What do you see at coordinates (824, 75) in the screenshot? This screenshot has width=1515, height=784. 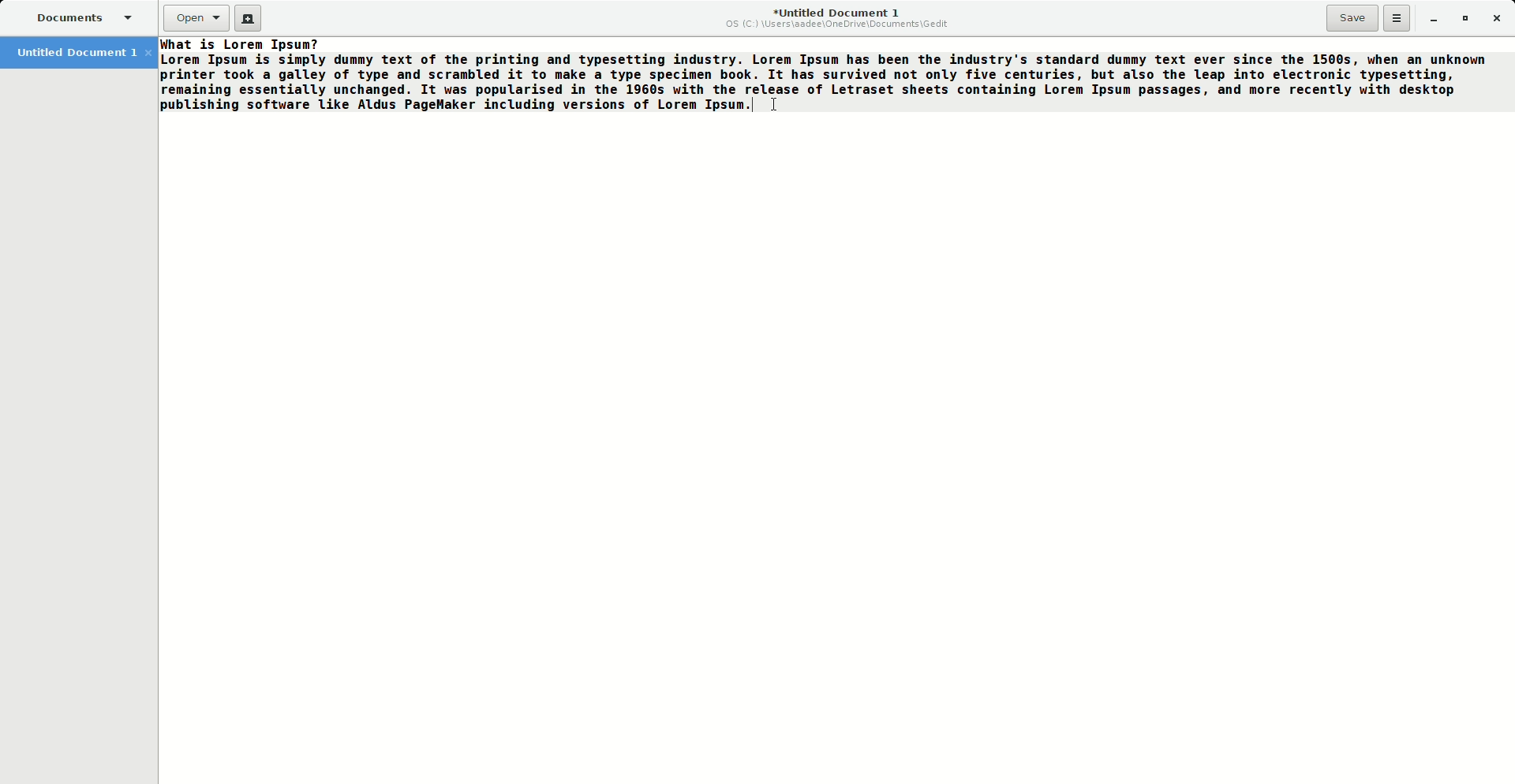 I see `Filler text` at bounding box center [824, 75].